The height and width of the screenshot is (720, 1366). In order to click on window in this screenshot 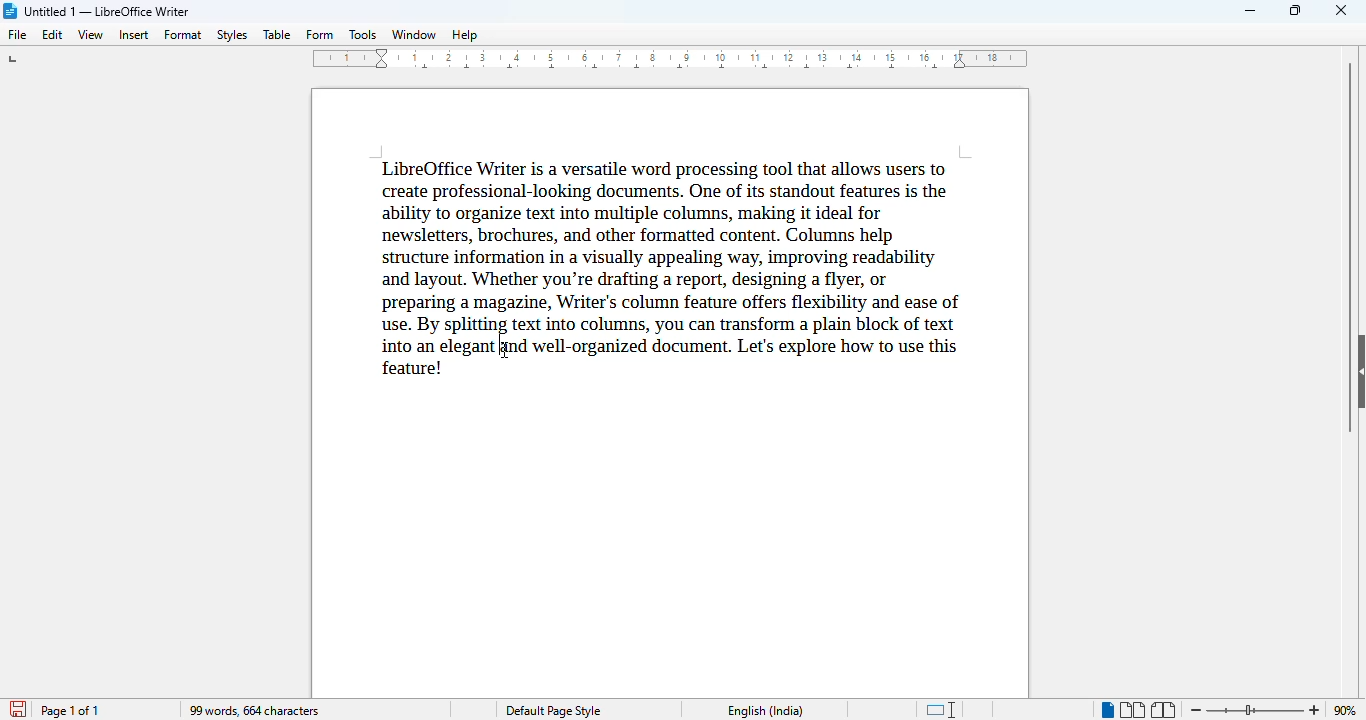, I will do `click(414, 35)`.